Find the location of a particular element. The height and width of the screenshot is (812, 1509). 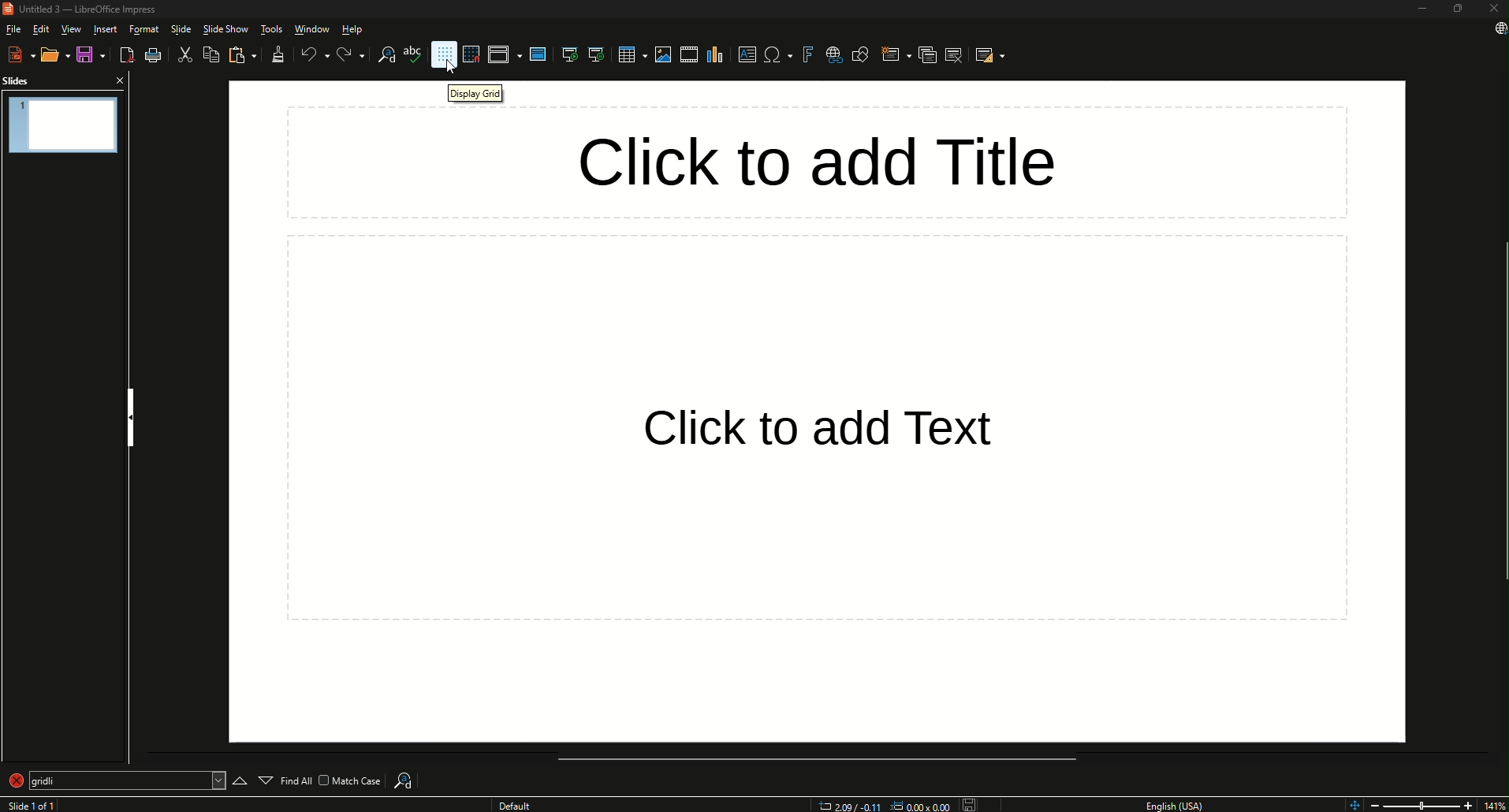

Update is located at coordinates (1495, 35).